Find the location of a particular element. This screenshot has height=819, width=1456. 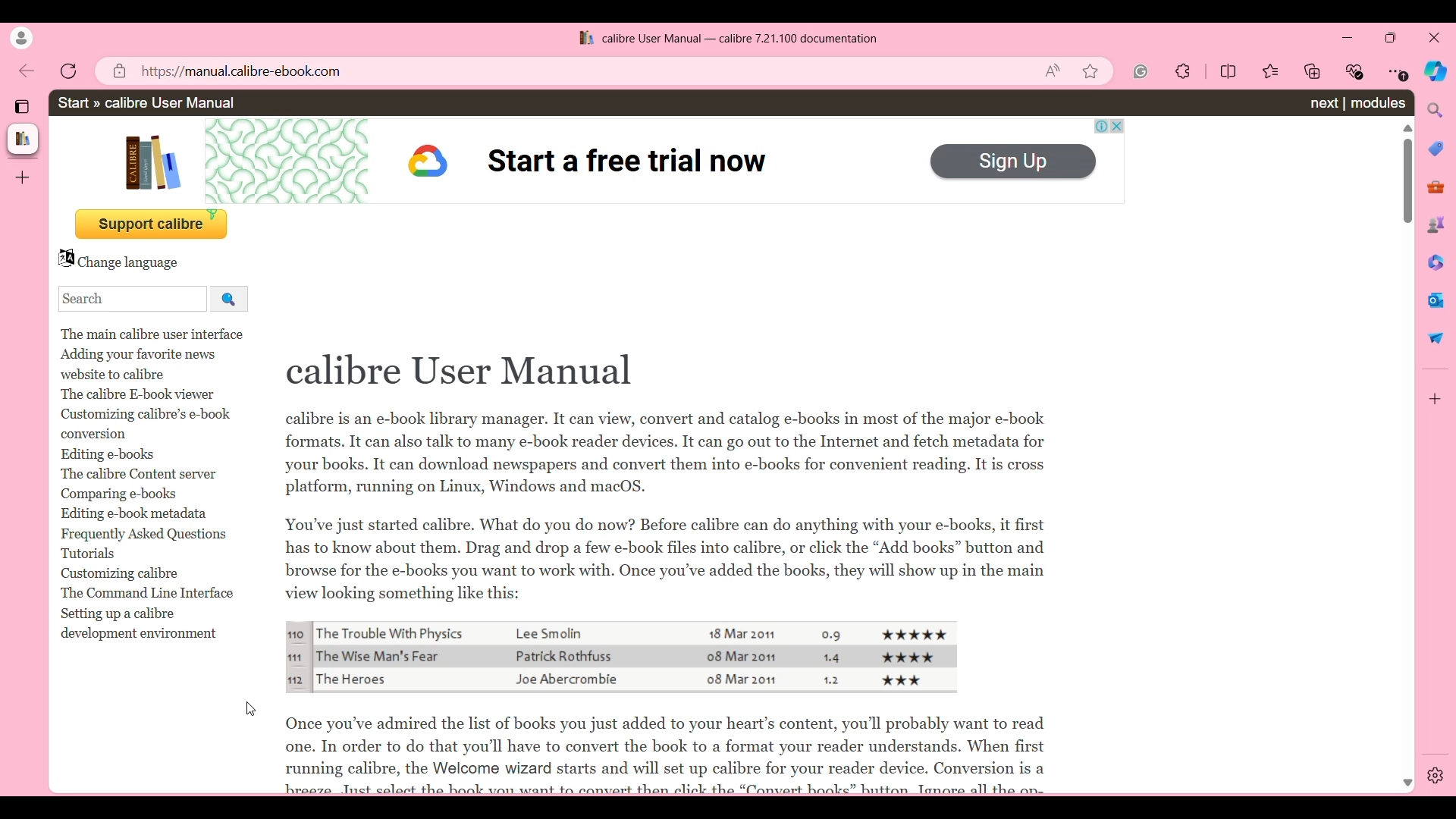

Vertical slide bar is located at coordinates (1407, 181).